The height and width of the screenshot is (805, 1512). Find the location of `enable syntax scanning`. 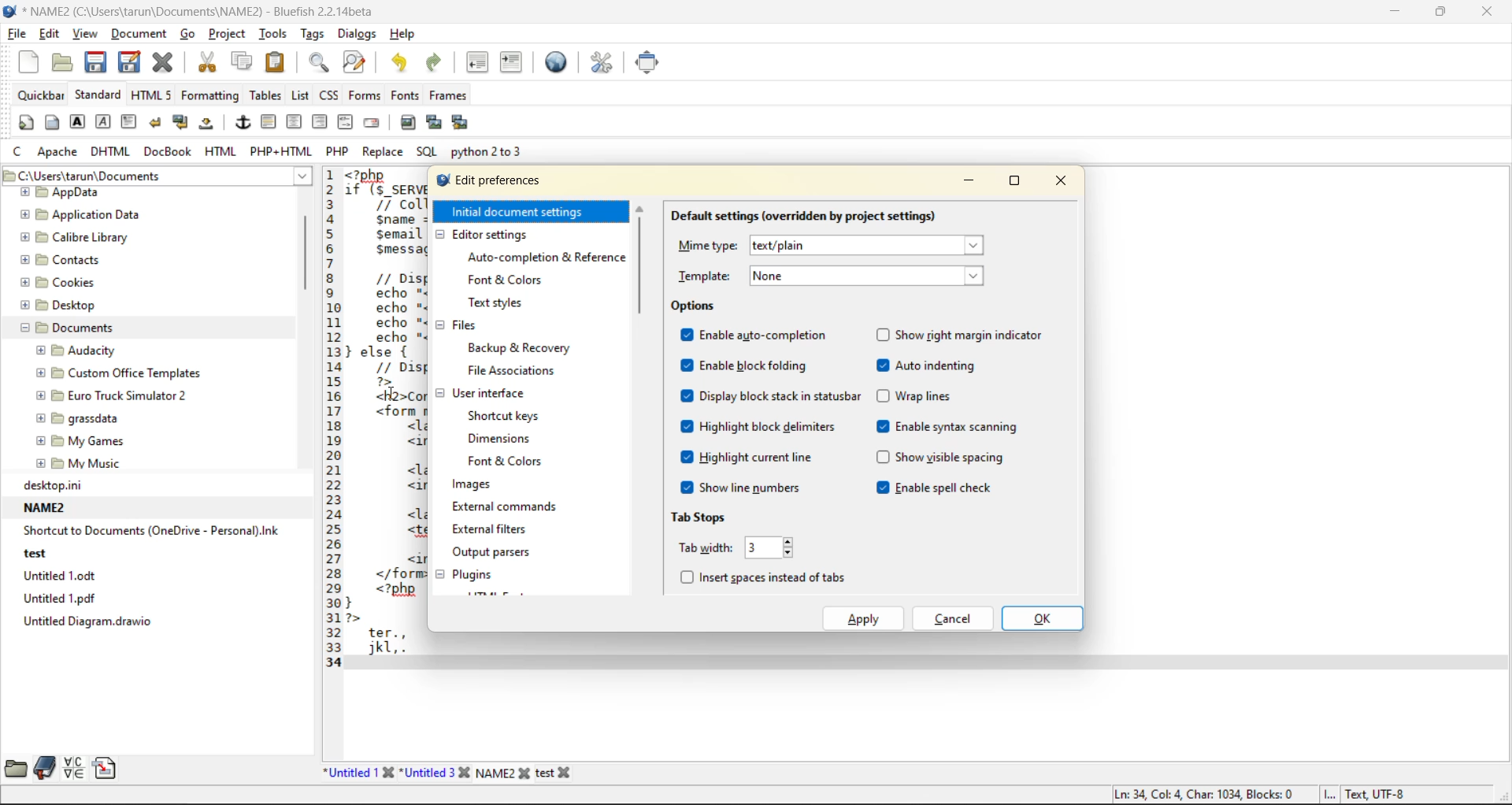

enable syntax scanning is located at coordinates (954, 428).